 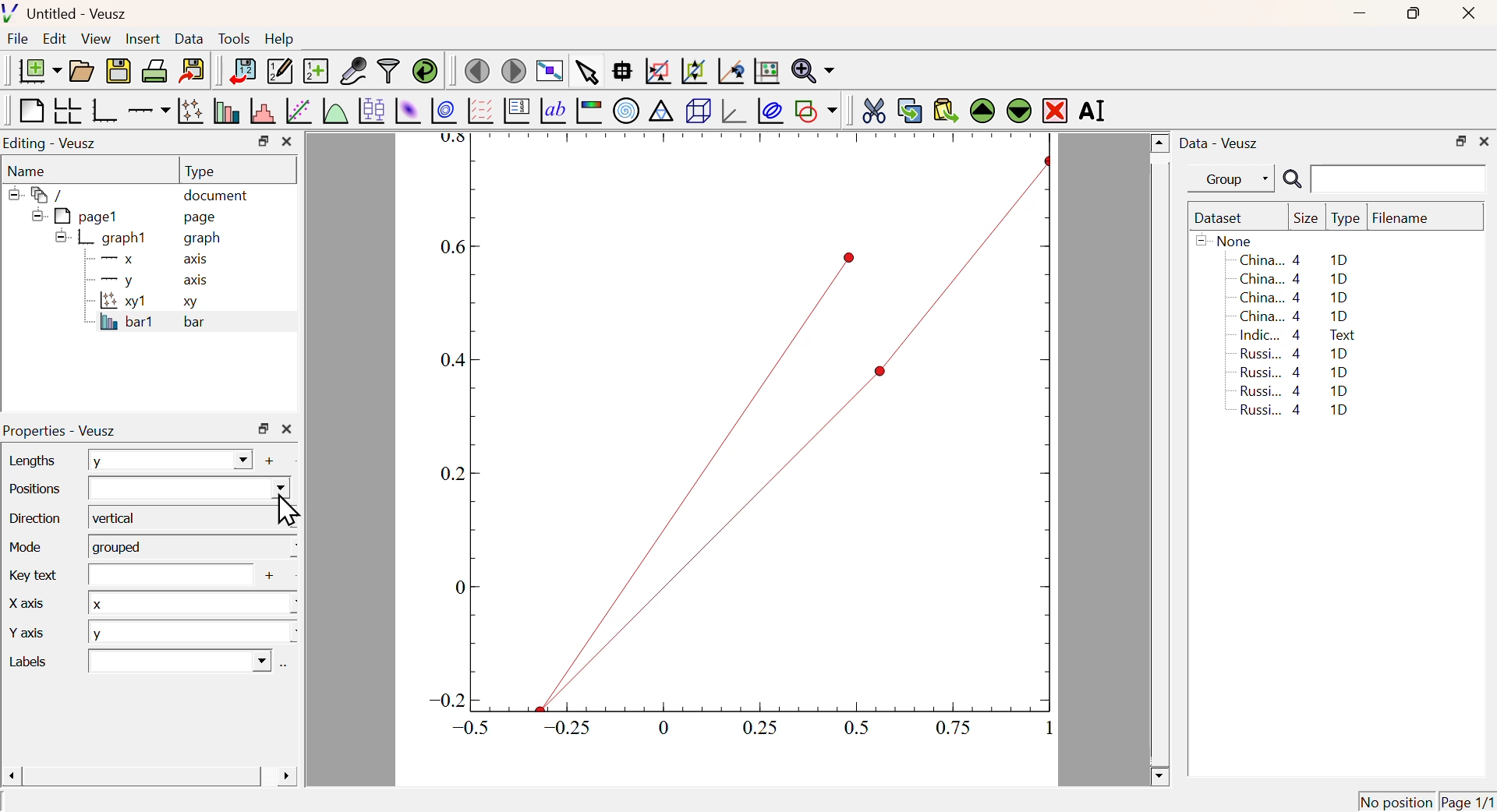 I want to click on Blank Page, so click(x=30, y=111).